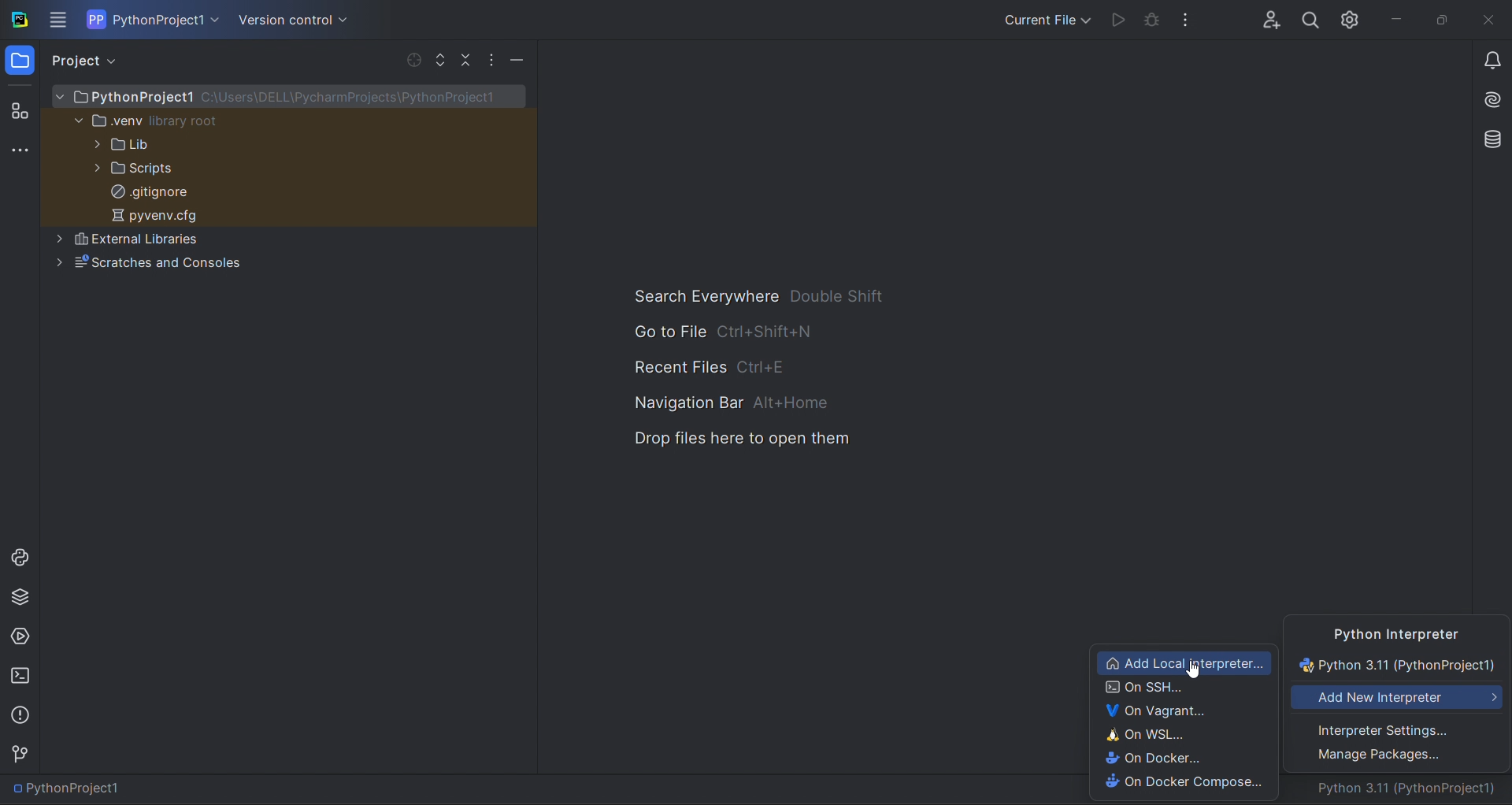  Describe the element at coordinates (491, 59) in the screenshot. I see `options` at that location.